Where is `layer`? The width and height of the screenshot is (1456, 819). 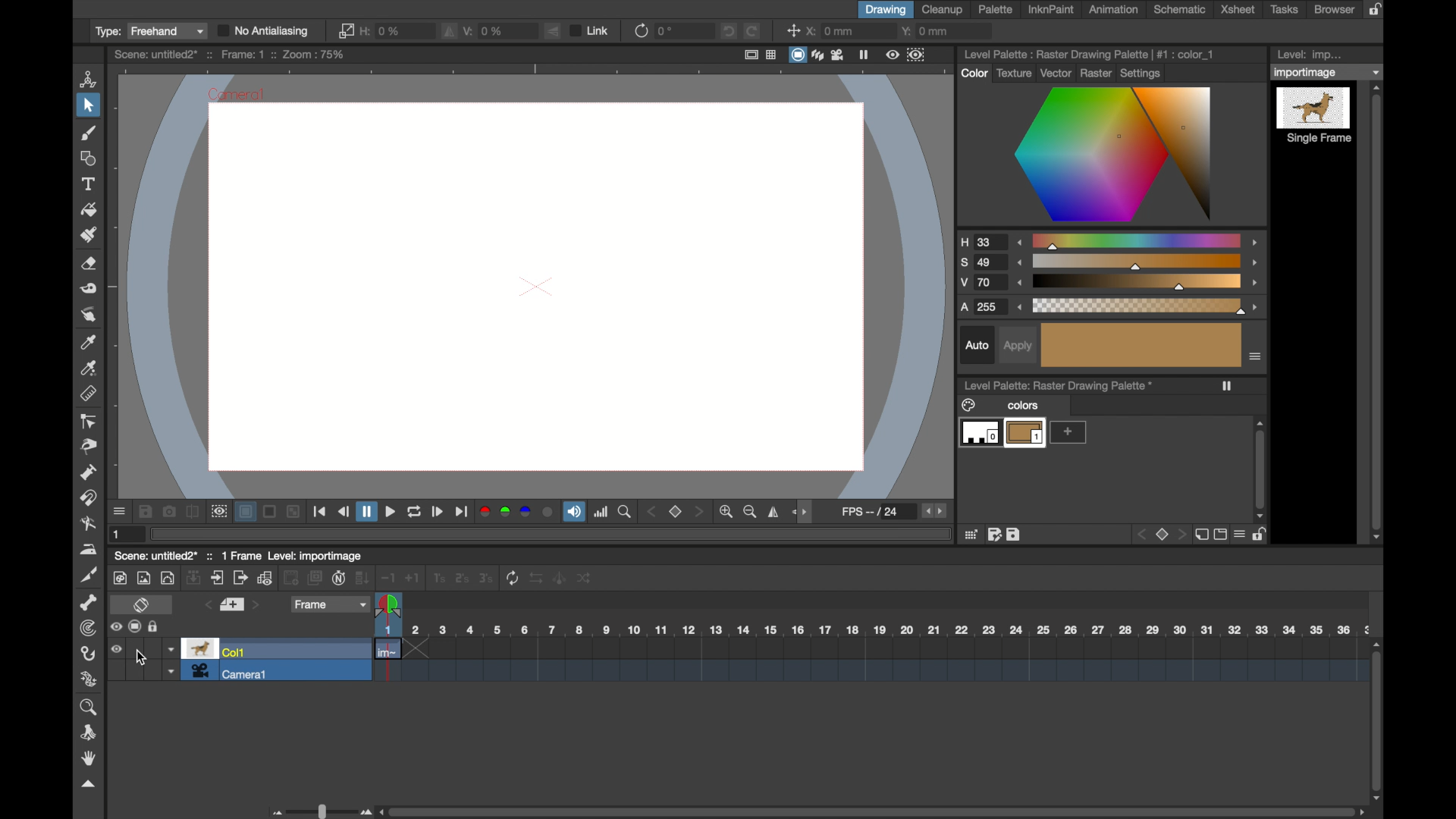 layer is located at coordinates (246, 512).